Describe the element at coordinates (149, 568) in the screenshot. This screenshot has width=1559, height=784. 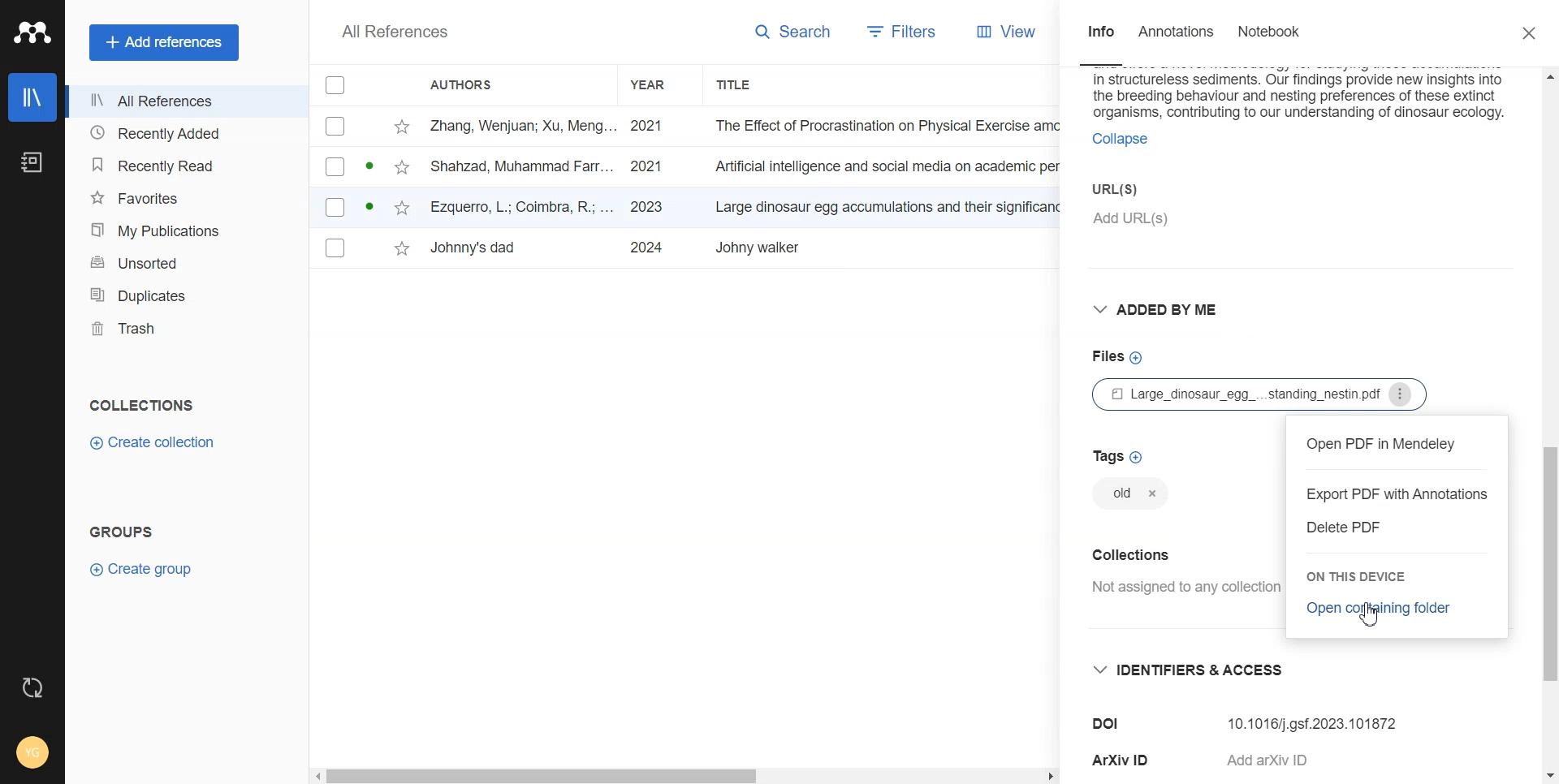
I see `Create Group` at that location.